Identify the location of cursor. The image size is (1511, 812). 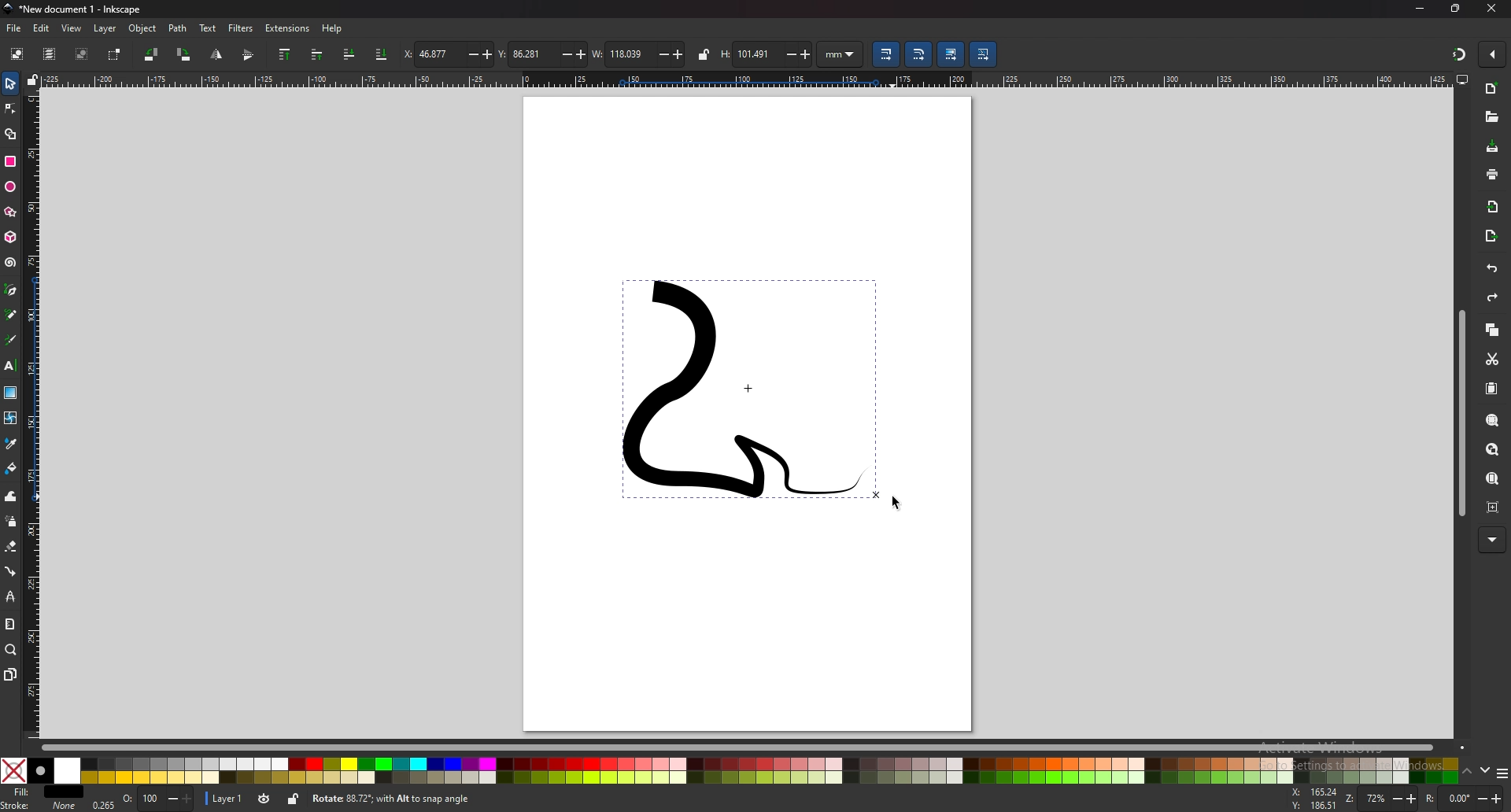
(899, 499).